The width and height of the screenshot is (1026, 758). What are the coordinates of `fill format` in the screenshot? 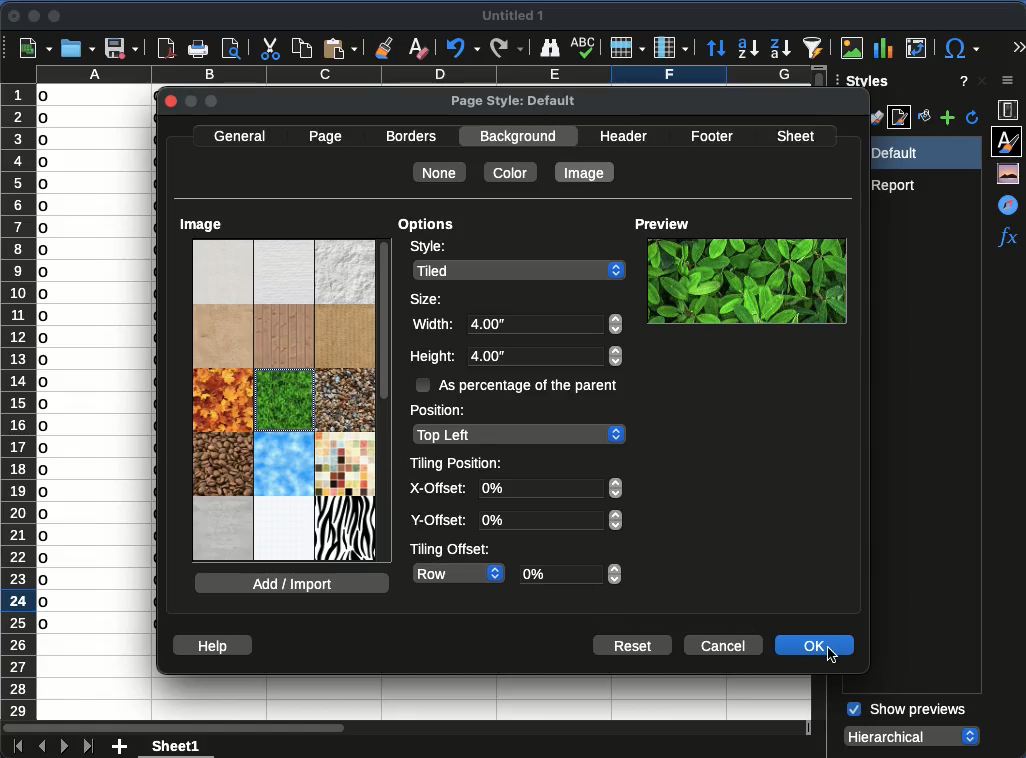 It's located at (923, 118).